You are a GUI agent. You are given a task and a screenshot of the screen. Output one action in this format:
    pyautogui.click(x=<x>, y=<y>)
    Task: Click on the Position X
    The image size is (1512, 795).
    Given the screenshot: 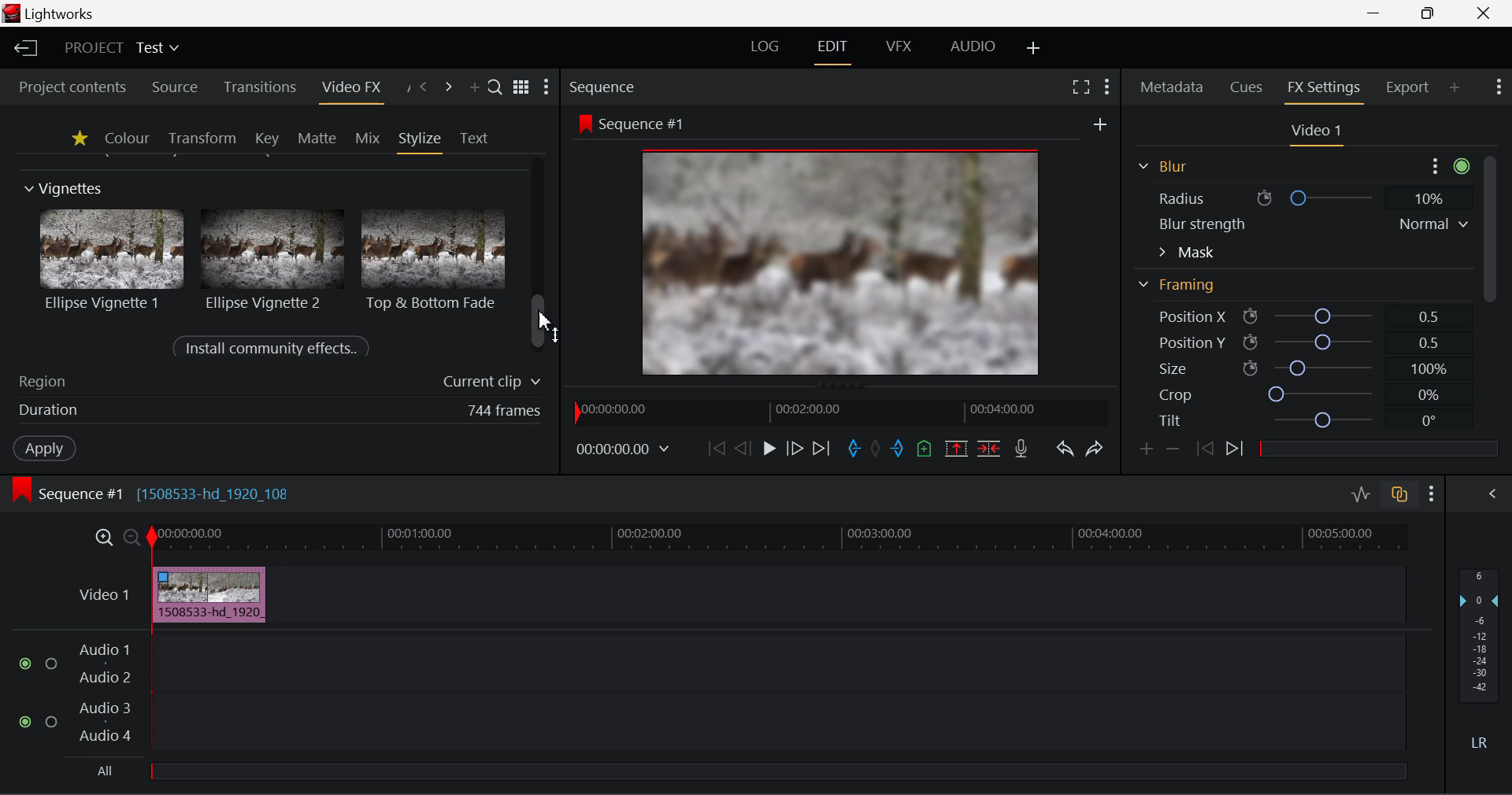 What is the action you would take?
    pyautogui.click(x=1295, y=317)
    